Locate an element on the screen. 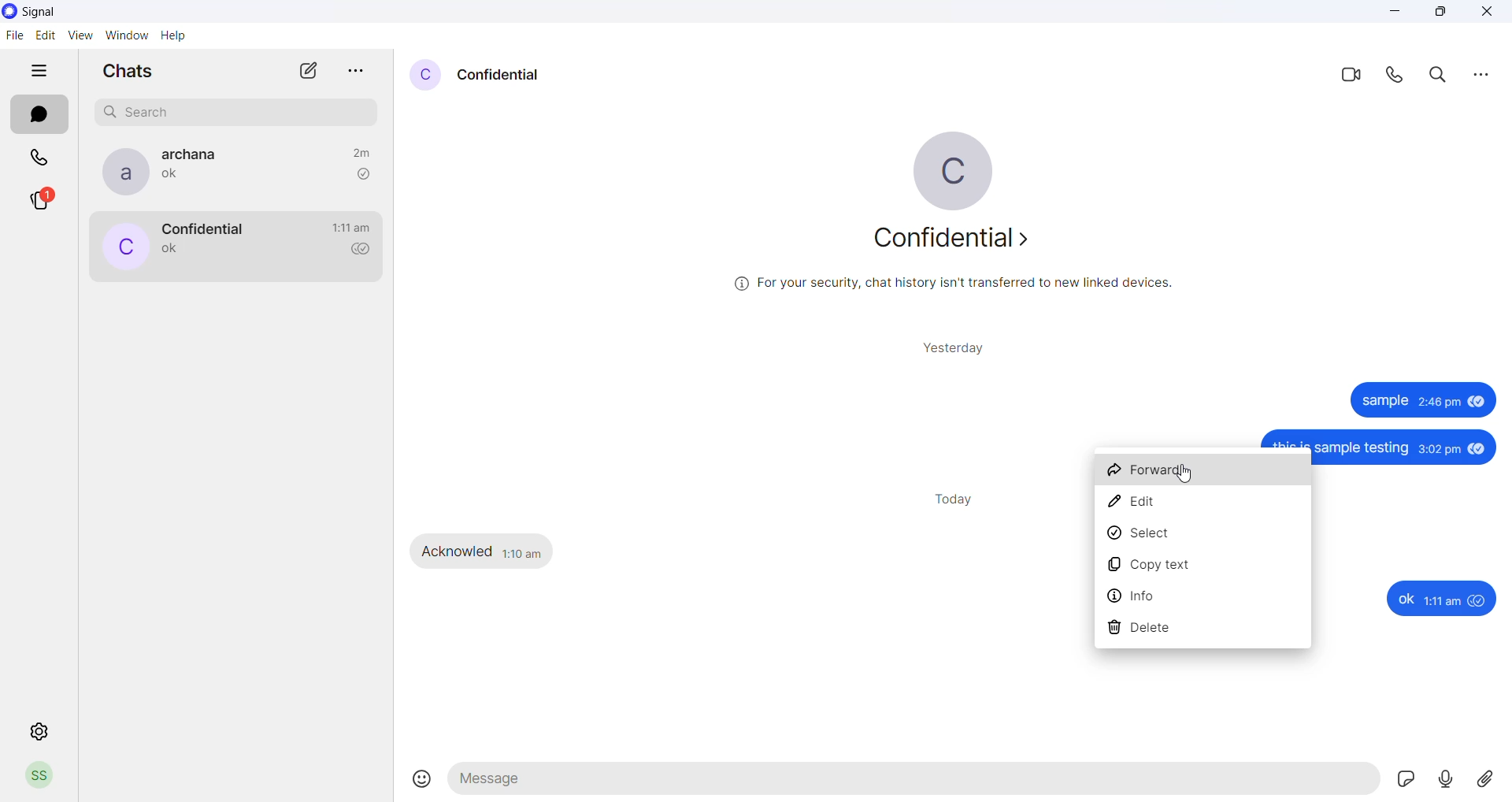  seen is located at coordinates (1480, 601).